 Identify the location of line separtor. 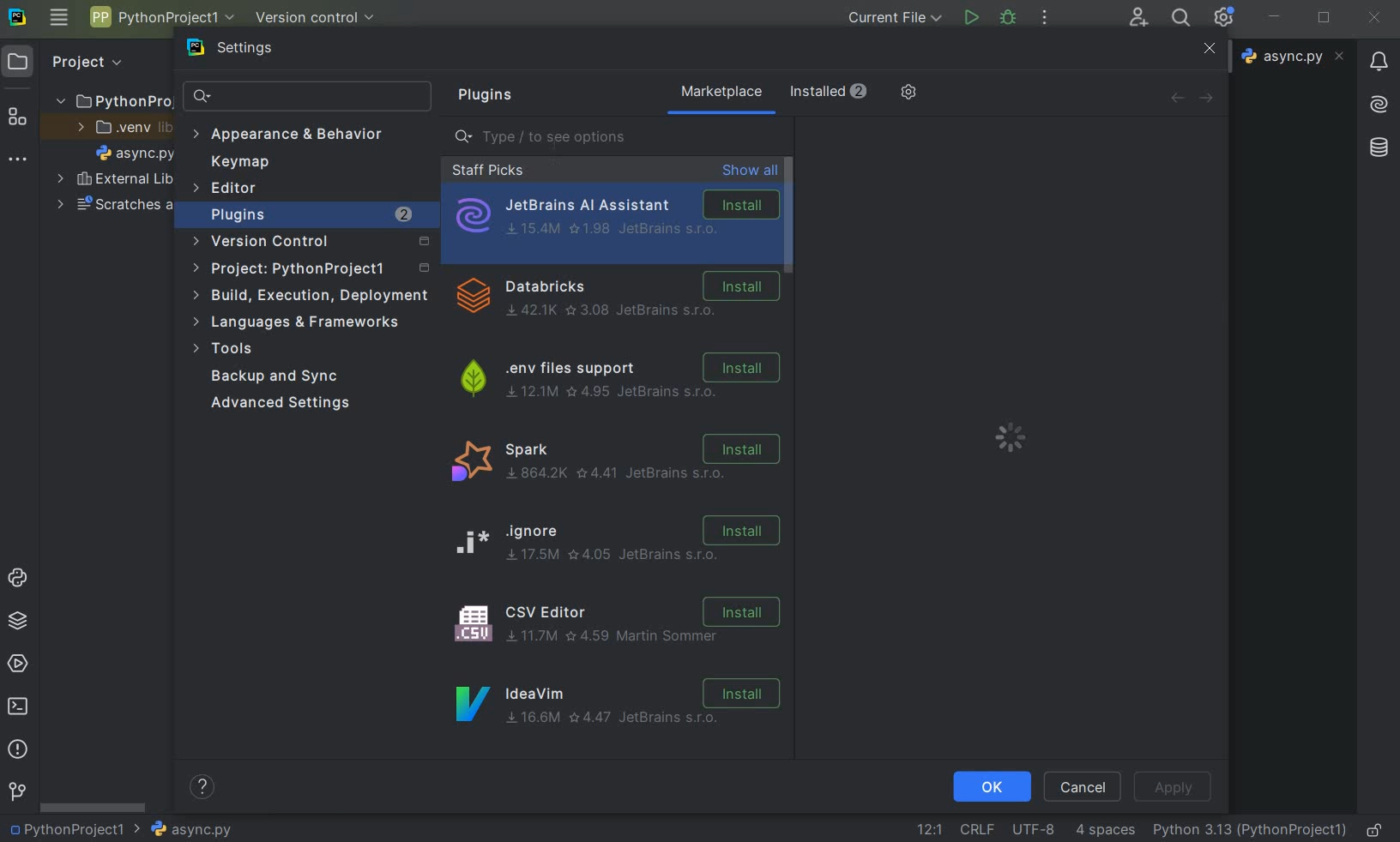
(975, 828).